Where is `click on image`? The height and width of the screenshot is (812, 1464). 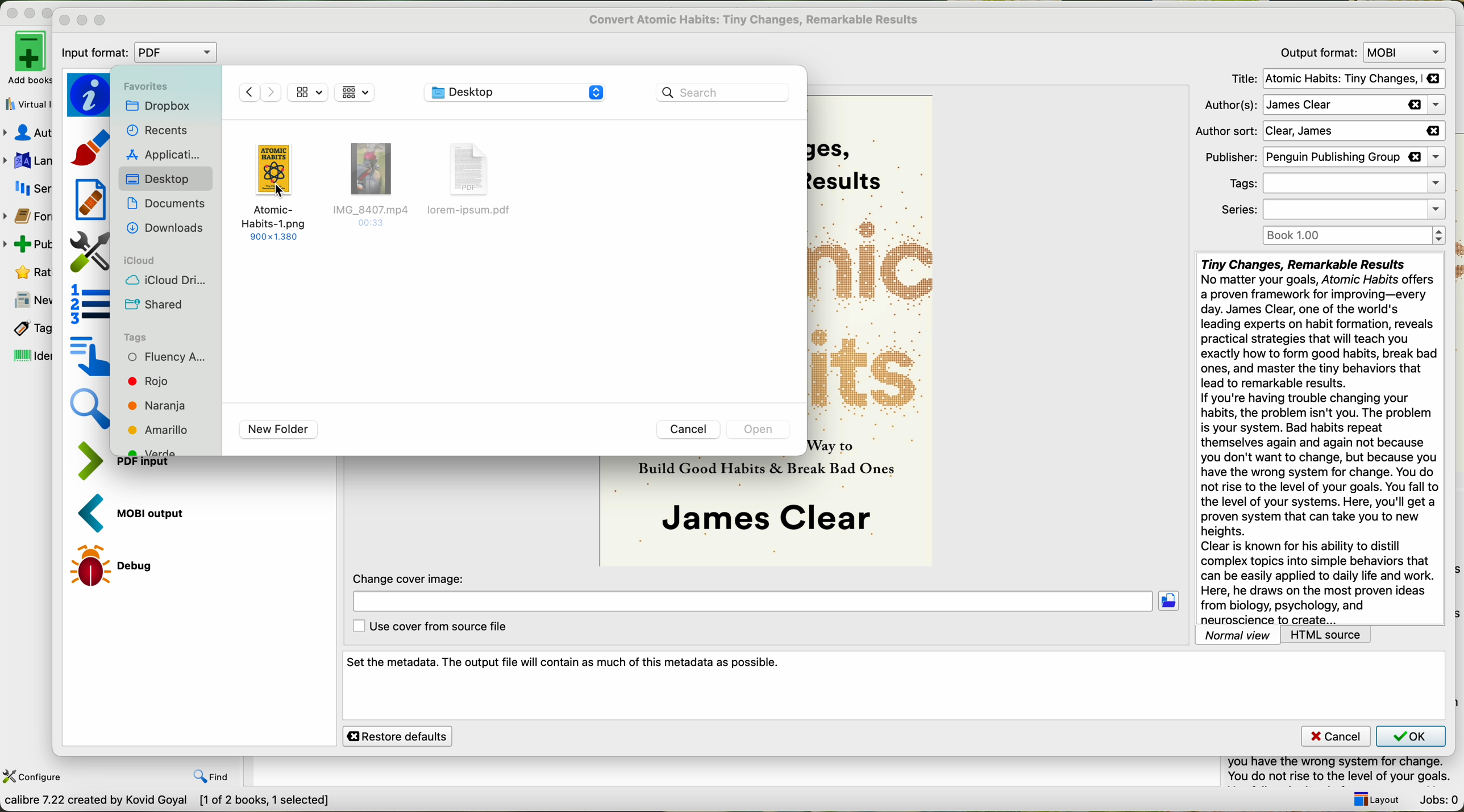
click on image is located at coordinates (278, 190).